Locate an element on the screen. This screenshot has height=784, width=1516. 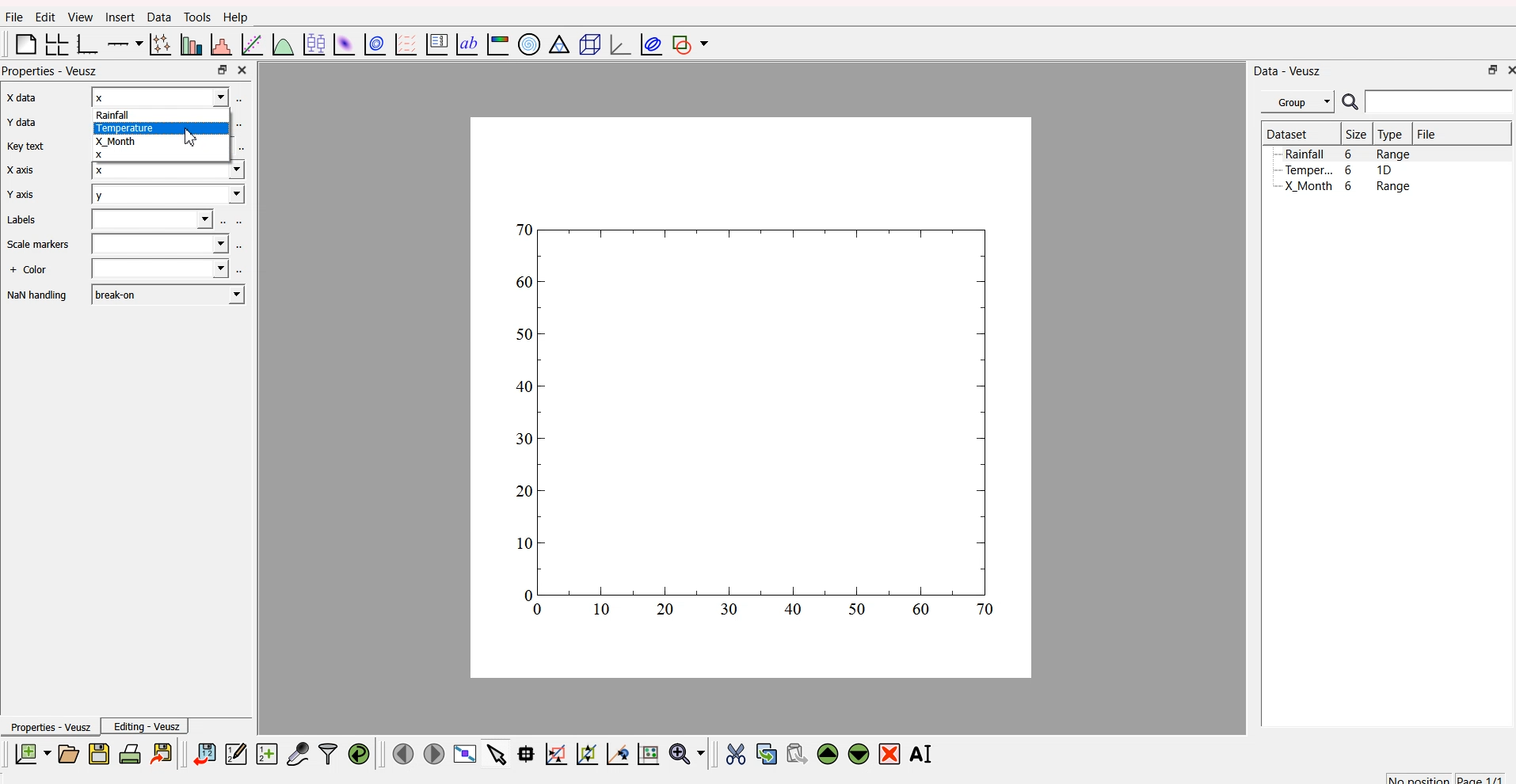
draw points is located at coordinates (584, 754).